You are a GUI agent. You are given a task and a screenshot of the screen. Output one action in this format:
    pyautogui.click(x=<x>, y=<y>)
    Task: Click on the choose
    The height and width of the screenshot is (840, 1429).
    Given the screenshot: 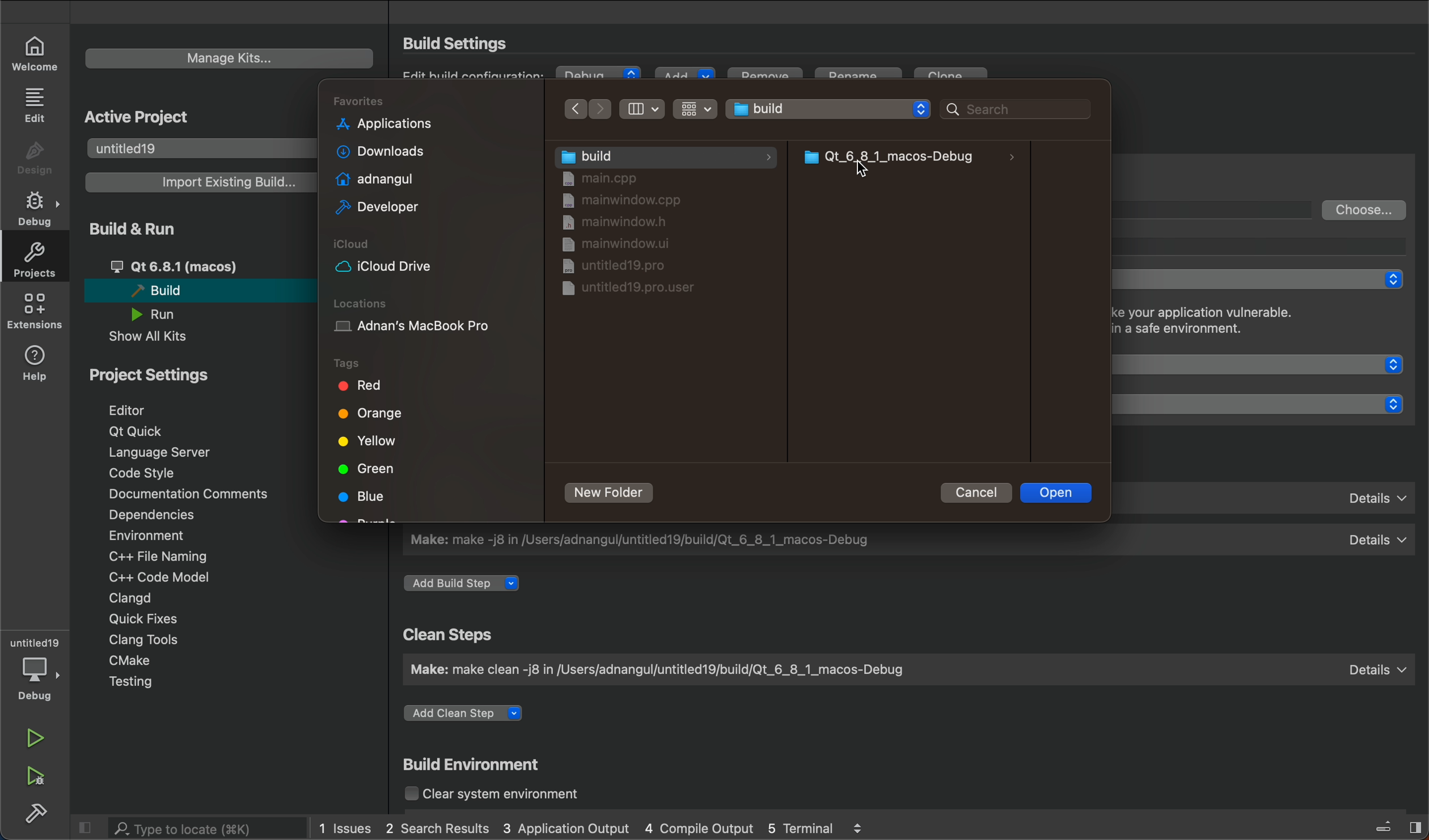 What is the action you would take?
    pyautogui.click(x=1365, y=209)
    